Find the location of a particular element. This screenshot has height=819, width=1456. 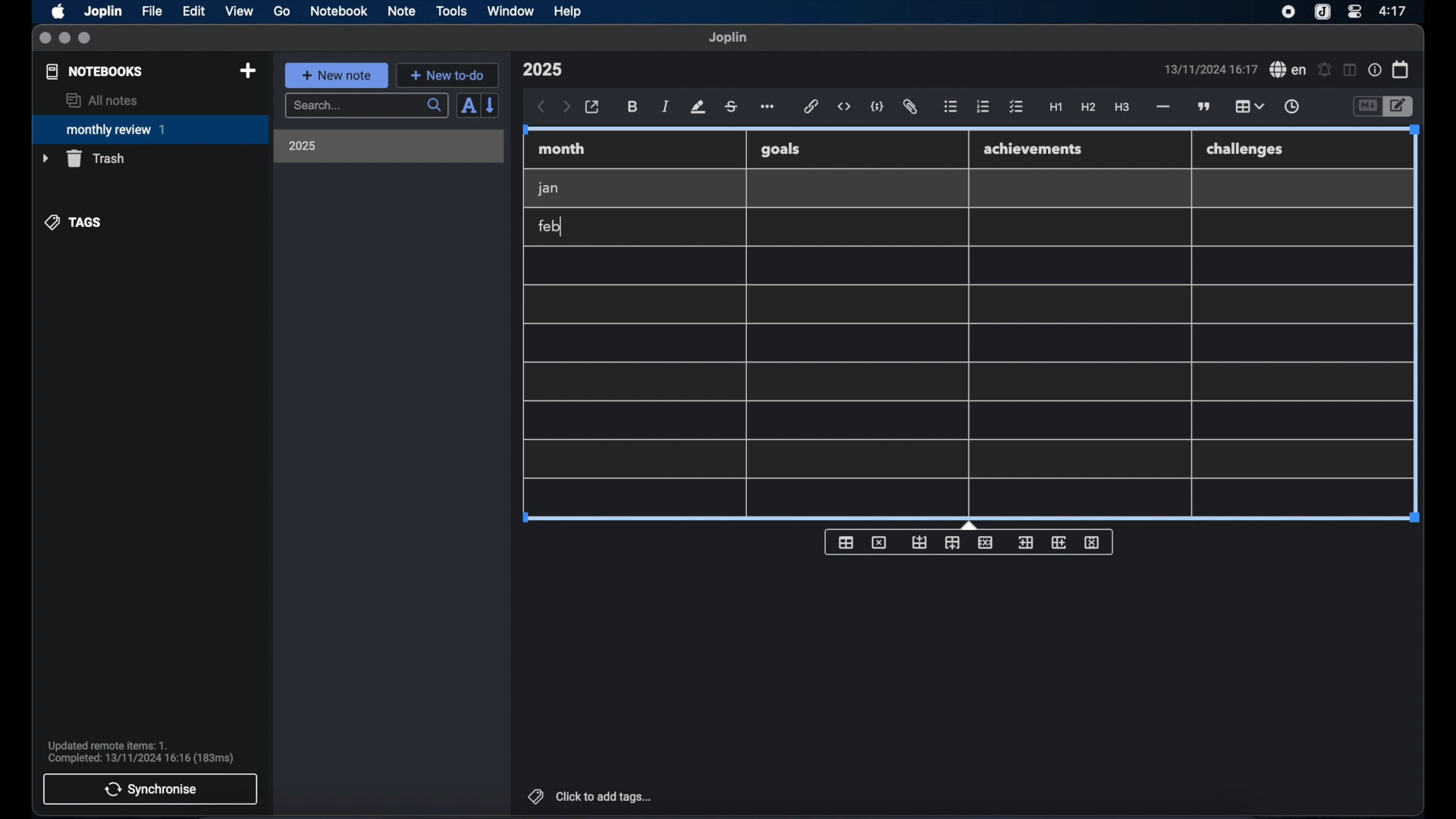

attach file is located at coordinates (910, 107).